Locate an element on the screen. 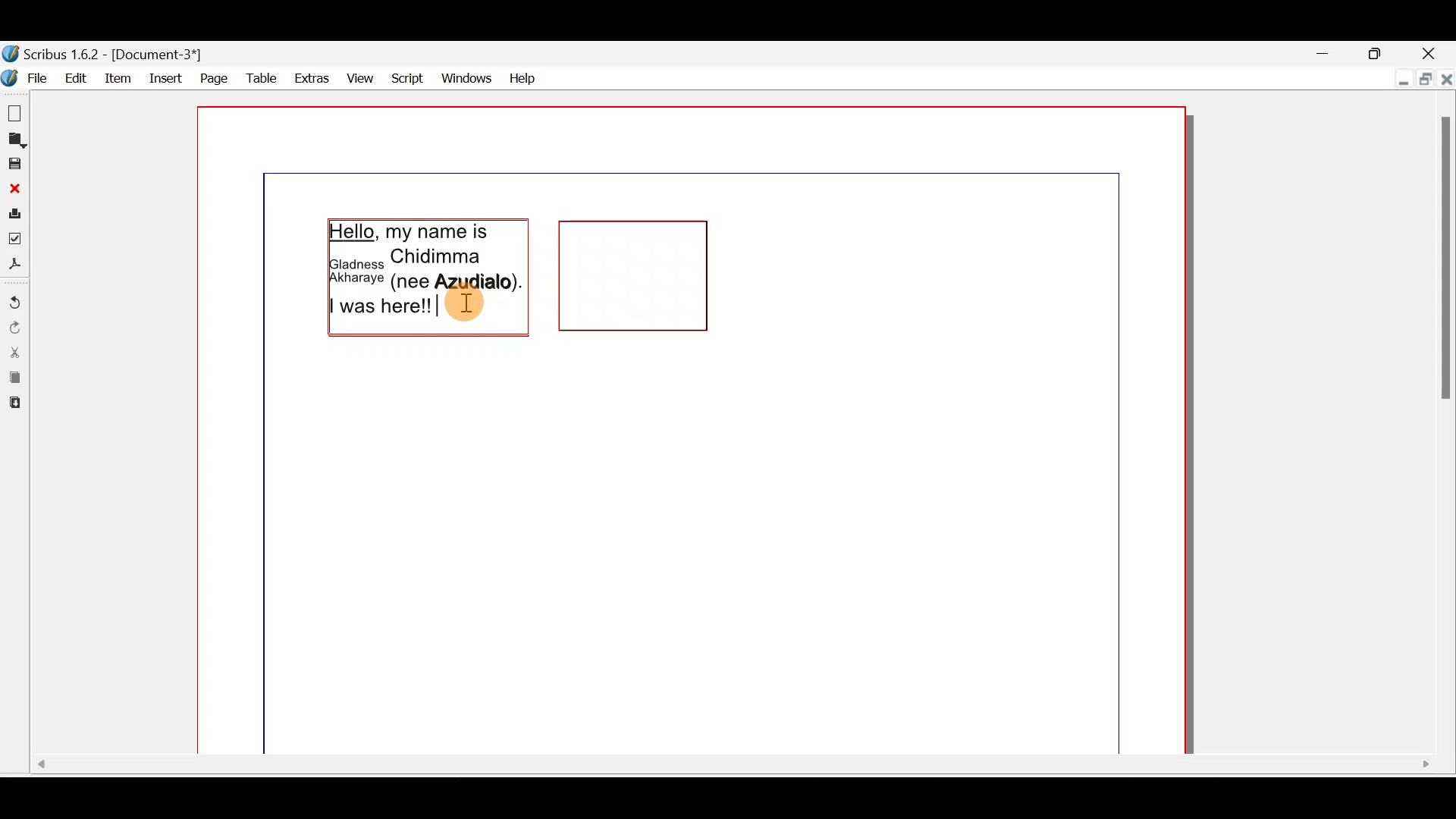  Preflight verifier is located at coordinates (15, 237).